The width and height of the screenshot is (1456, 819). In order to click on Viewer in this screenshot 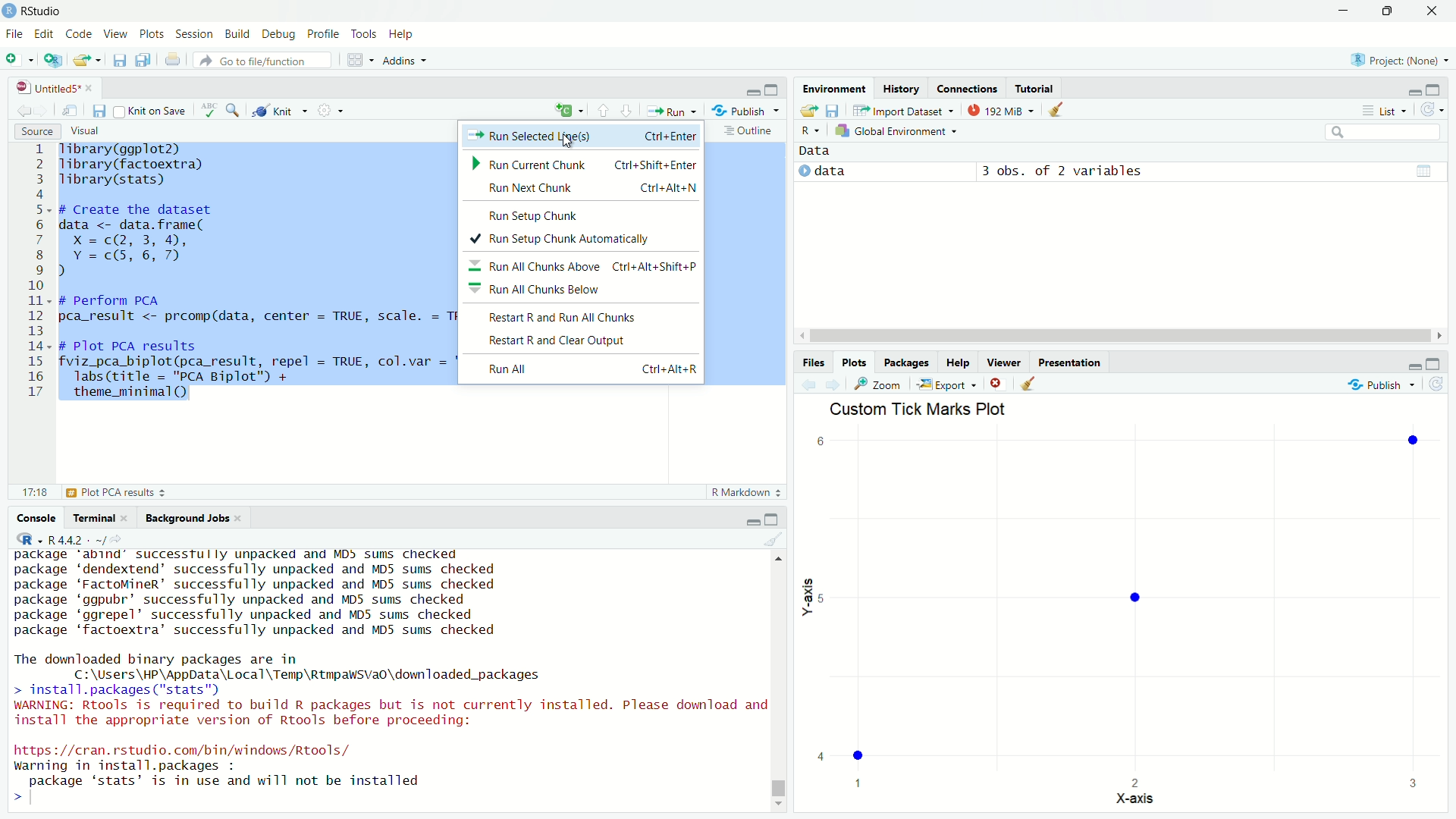, I will do `click(1005, 362)`.